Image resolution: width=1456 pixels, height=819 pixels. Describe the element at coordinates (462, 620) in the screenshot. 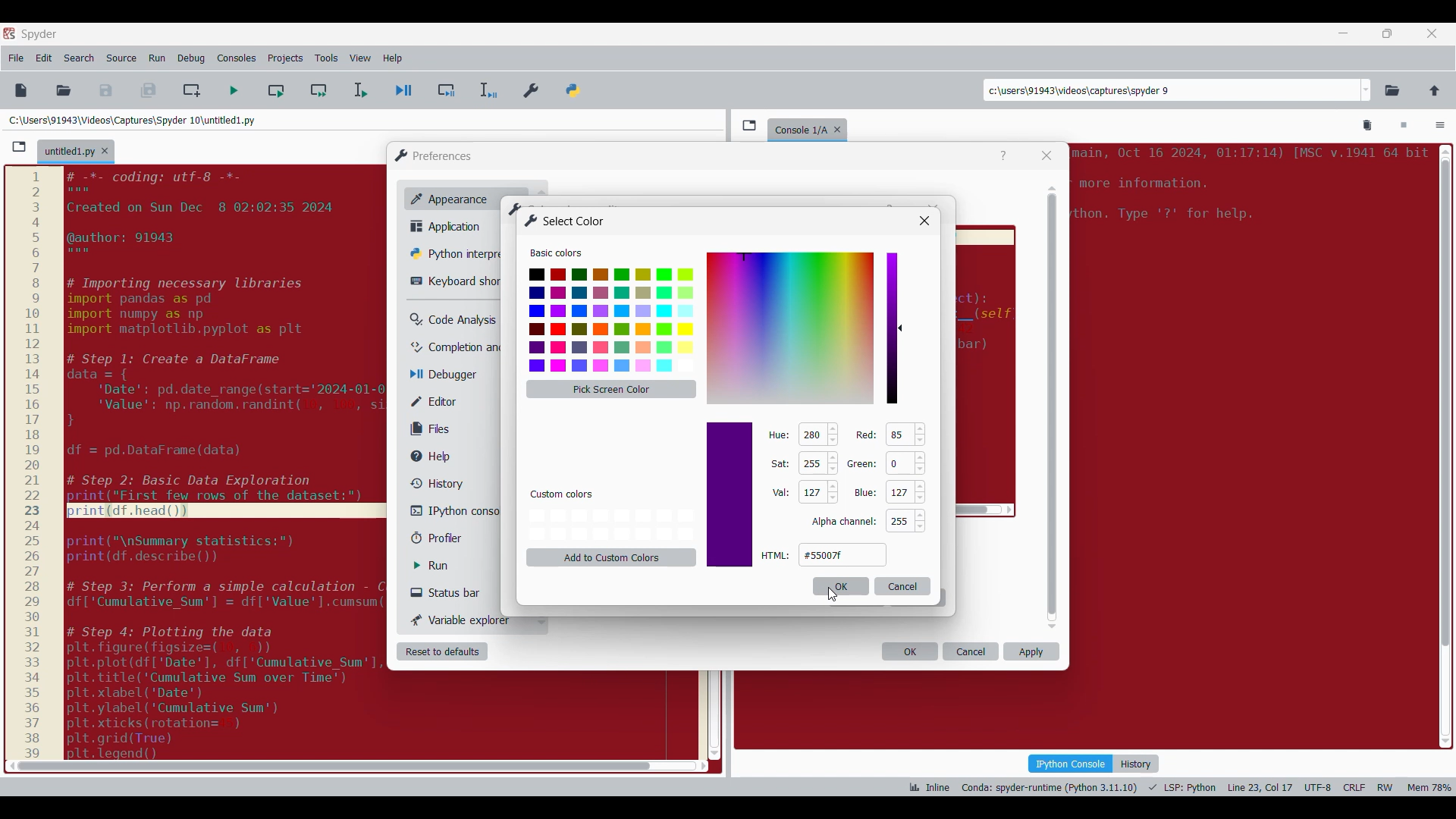

I see `Variable explorer` at that location.